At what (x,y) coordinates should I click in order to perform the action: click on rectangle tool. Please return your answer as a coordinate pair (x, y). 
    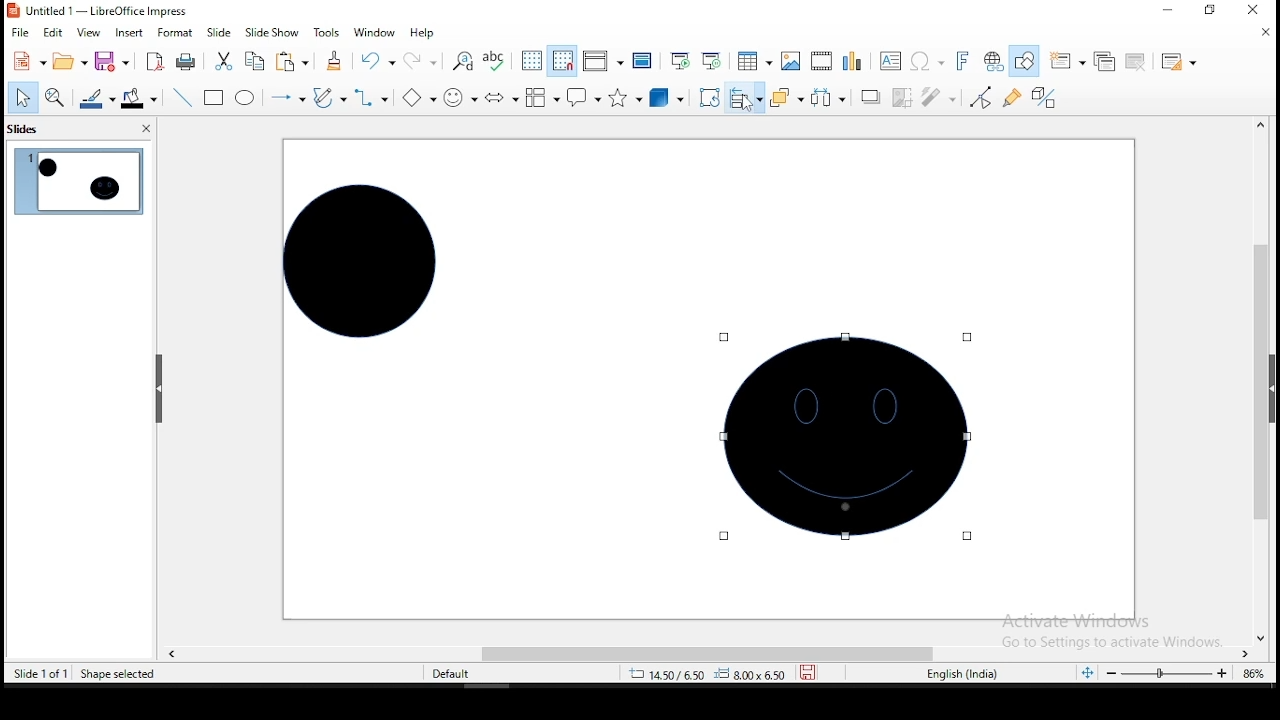
    Looking at the image, I should click on (214, 98).